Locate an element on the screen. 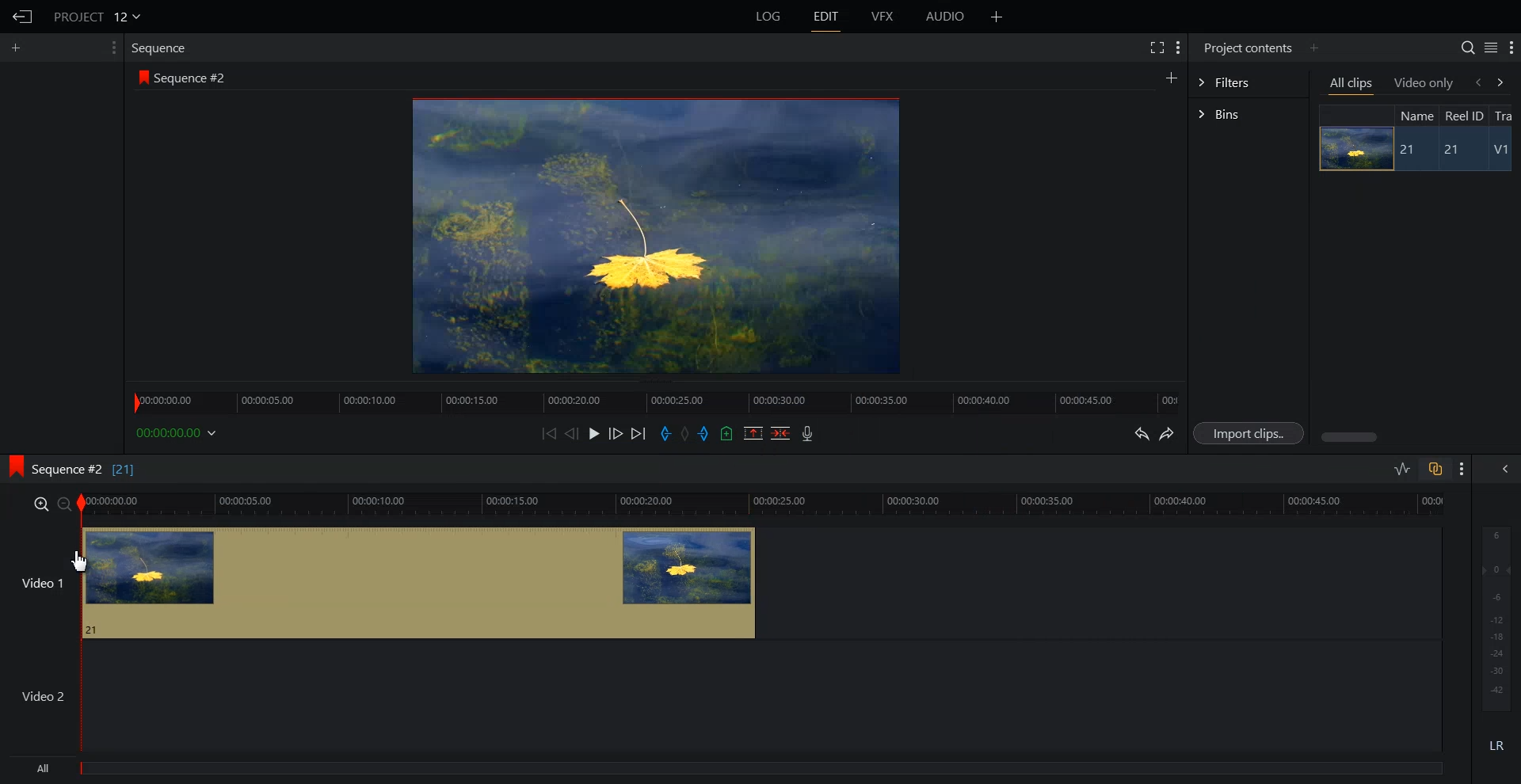 The width and height of the screenshot is (1521, 784). PROJECT 12 is located at coordinates (97, 16).